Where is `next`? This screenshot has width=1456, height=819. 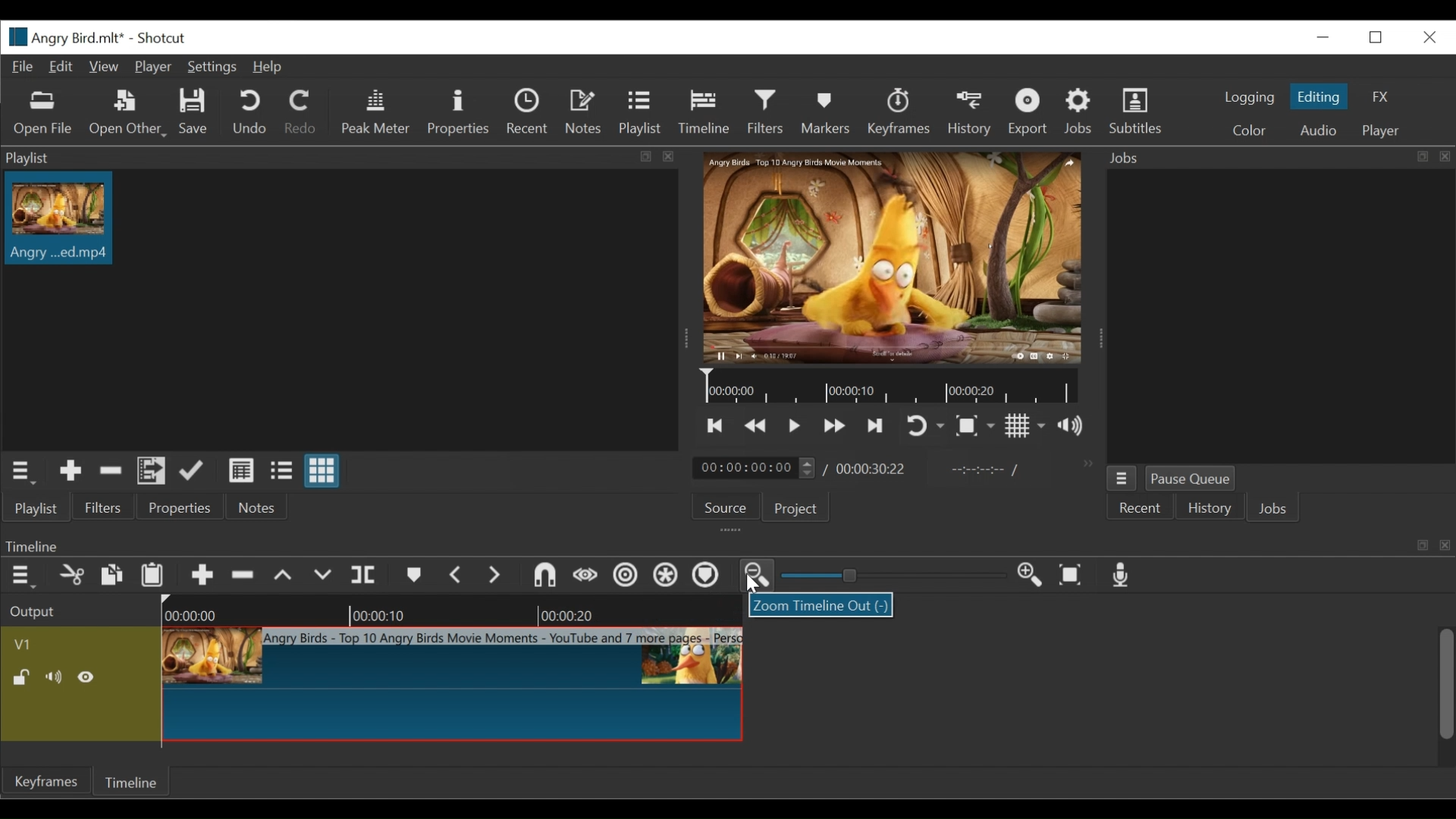 next is located at coordinates (498, 578).